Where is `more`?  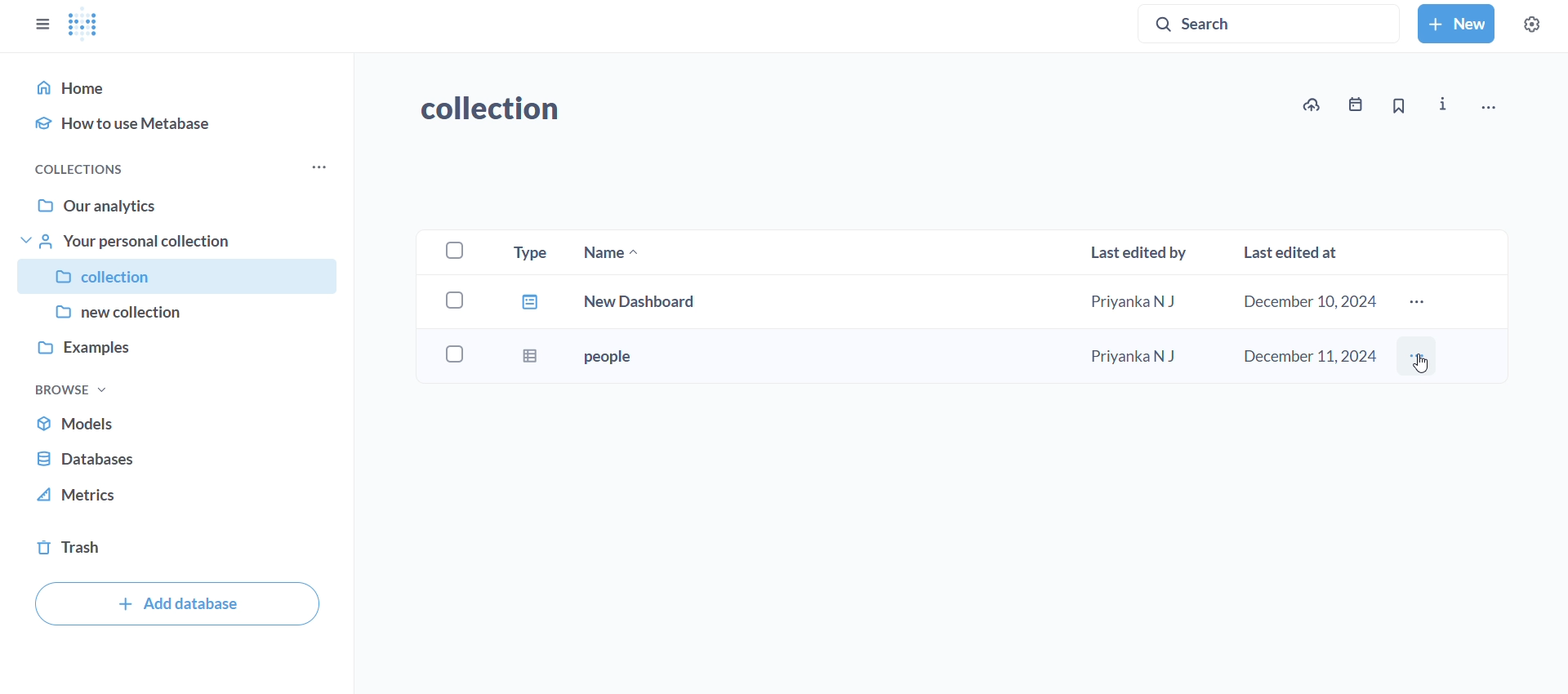 more is located at coordinates (1418, 304).